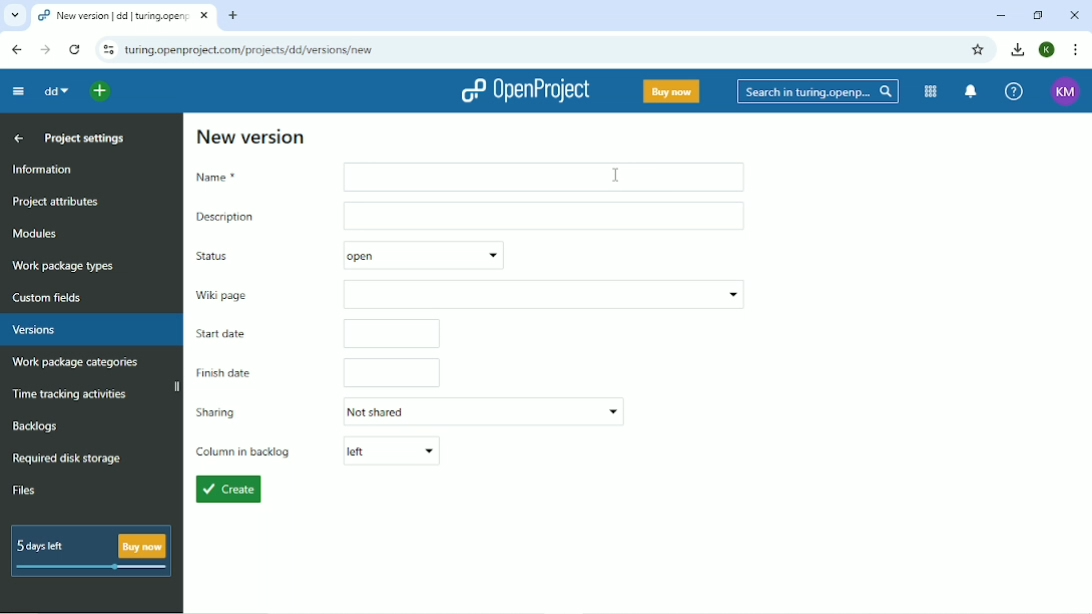 This screenshot has height=614, width=1092. What do you see at coordinates (33, 330) in the screenshot?
I see `Versions` at bounding box center [33, 330].